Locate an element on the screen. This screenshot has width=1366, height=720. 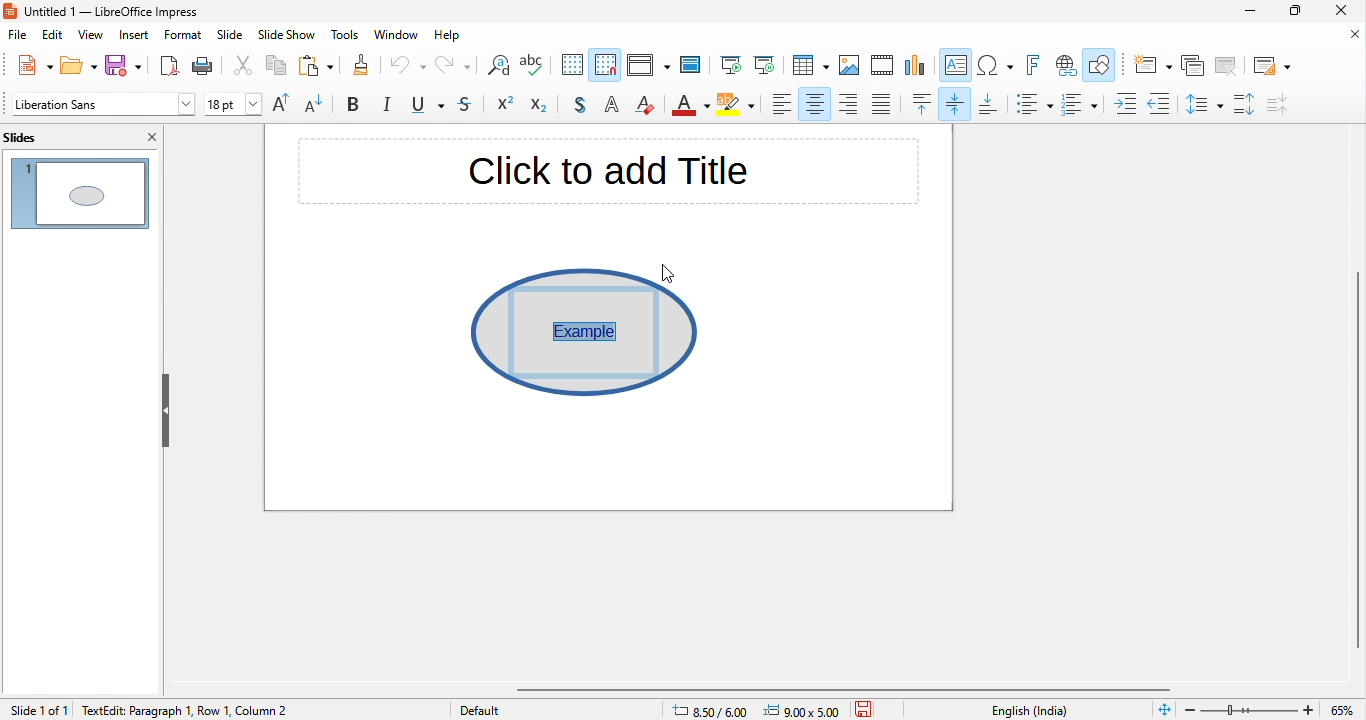
image is located at coordinates (850, 66).